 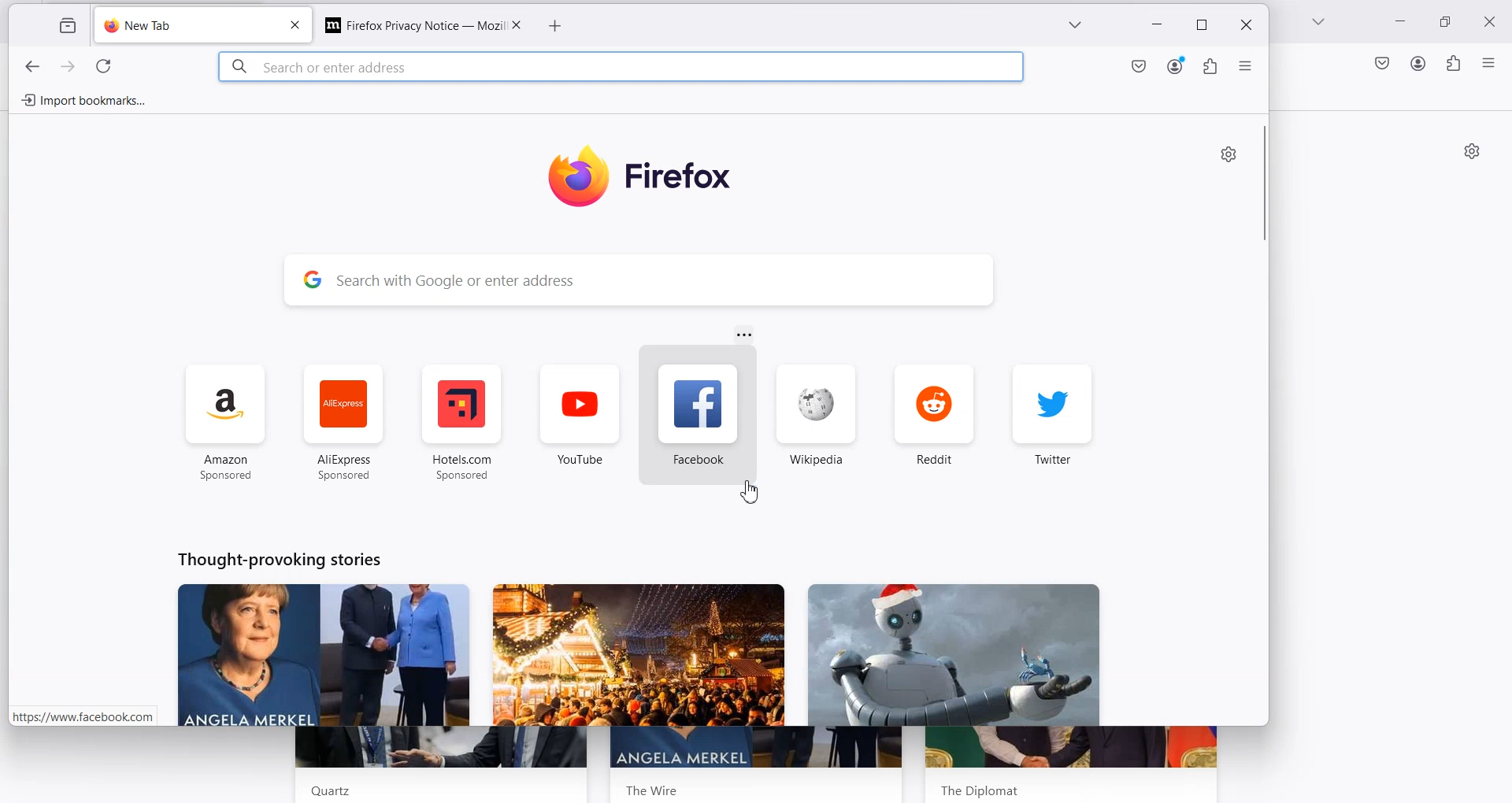 What do you see at coordinates (556, 27) in the screenshot?
I see `add new tab` at bounding box center [556, 27].